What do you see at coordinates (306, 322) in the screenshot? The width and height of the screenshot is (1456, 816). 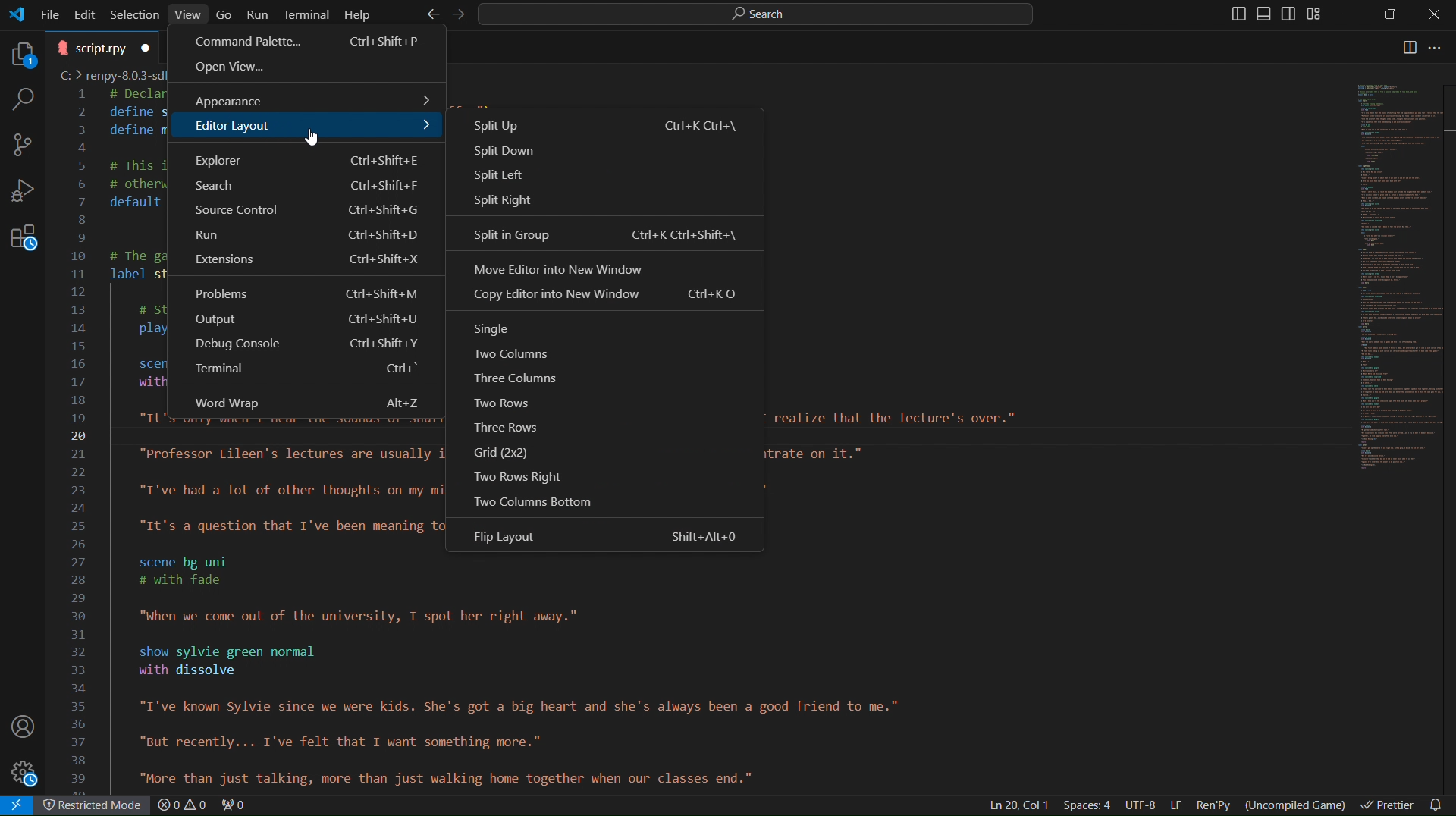 I see `Output   ctrl+shift+U` at bounding box center [306, 322].